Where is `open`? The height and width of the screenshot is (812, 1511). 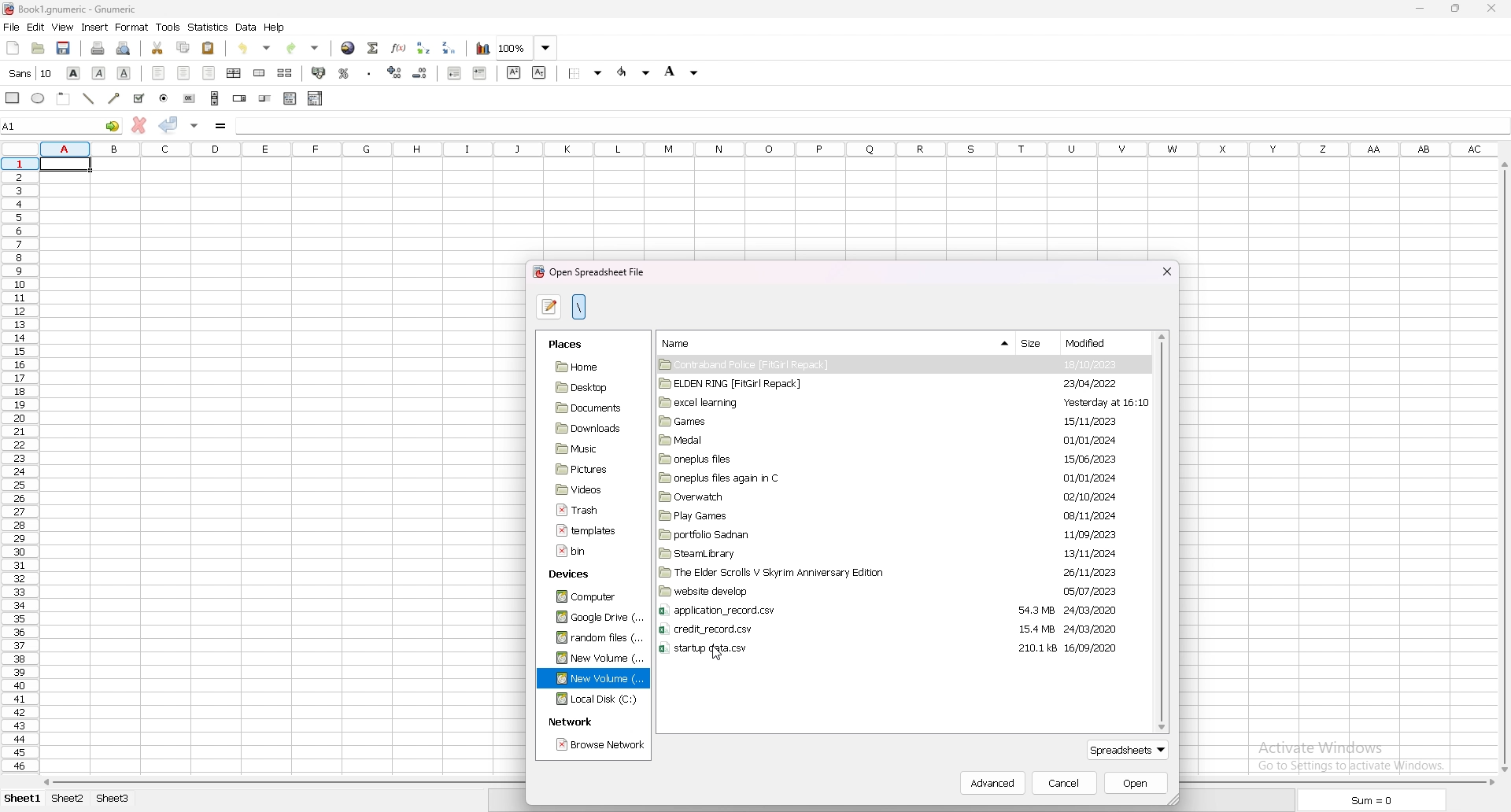 open is located at coordinates (1136, 783).